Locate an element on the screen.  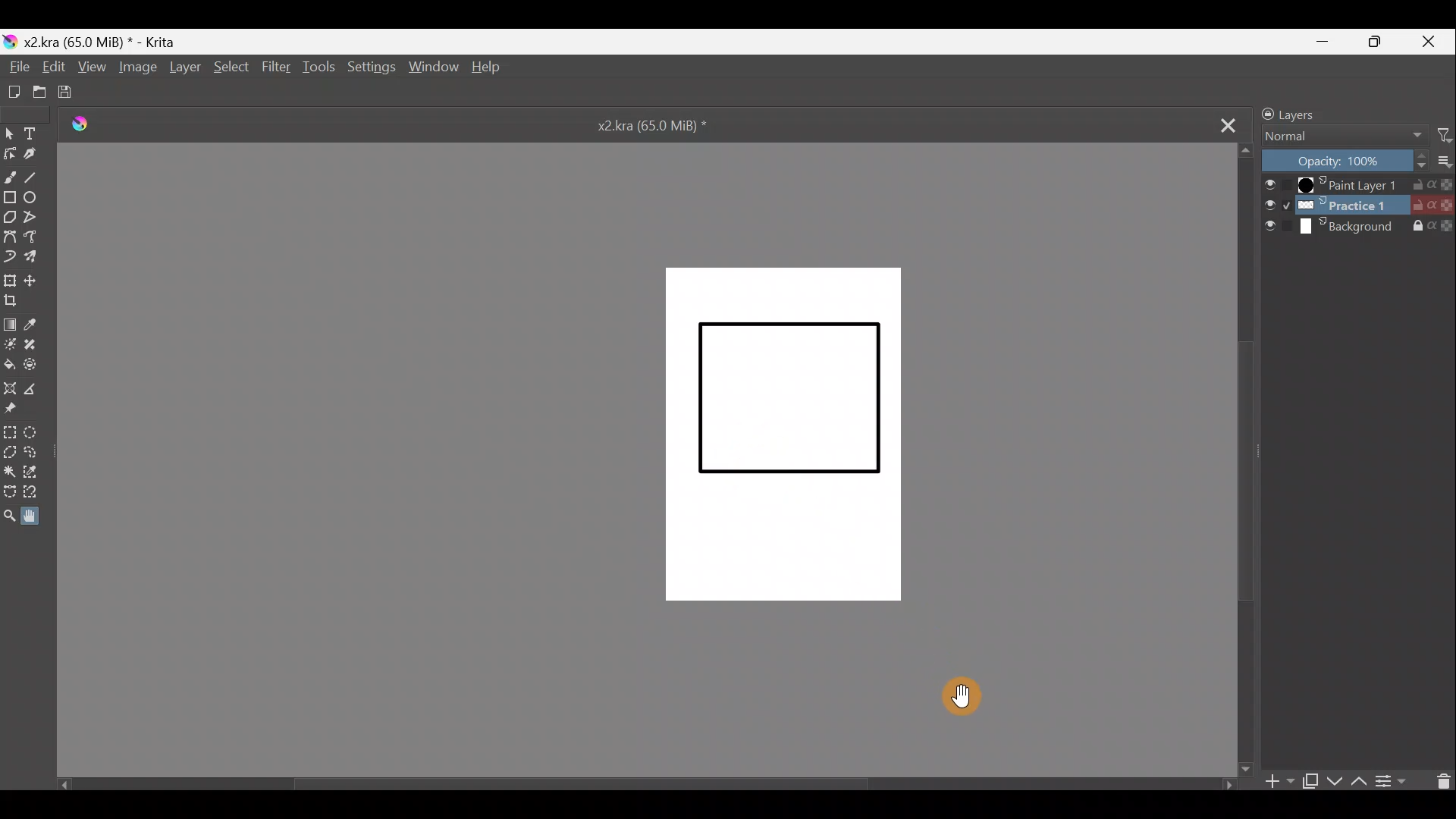
) x2kra (65.0 MiB) * - Krita is located at coordinates (96, 42).